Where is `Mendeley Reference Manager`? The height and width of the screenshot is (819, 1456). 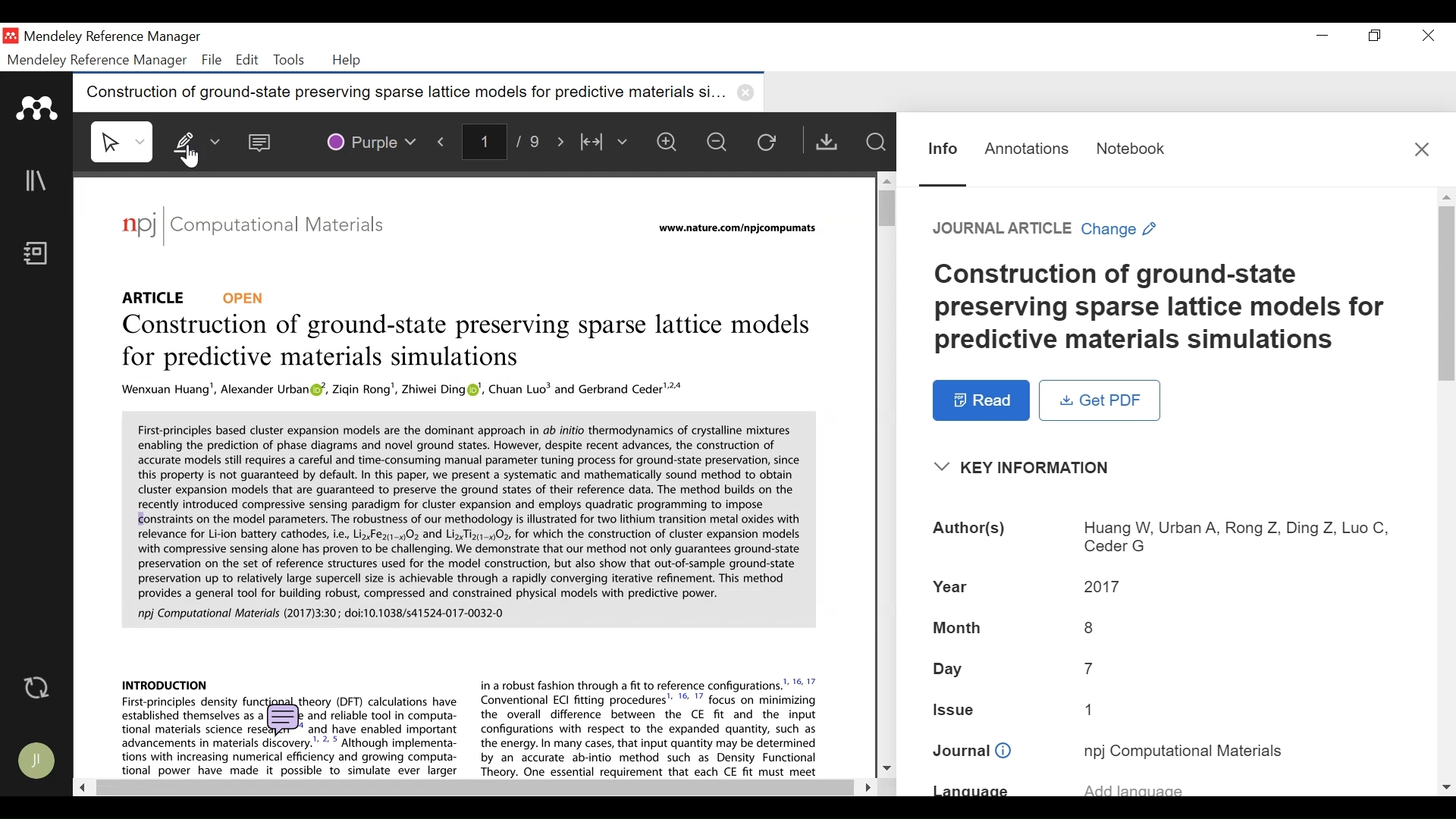
Mendeley Reference Manager is located at coordinates (111, 39).